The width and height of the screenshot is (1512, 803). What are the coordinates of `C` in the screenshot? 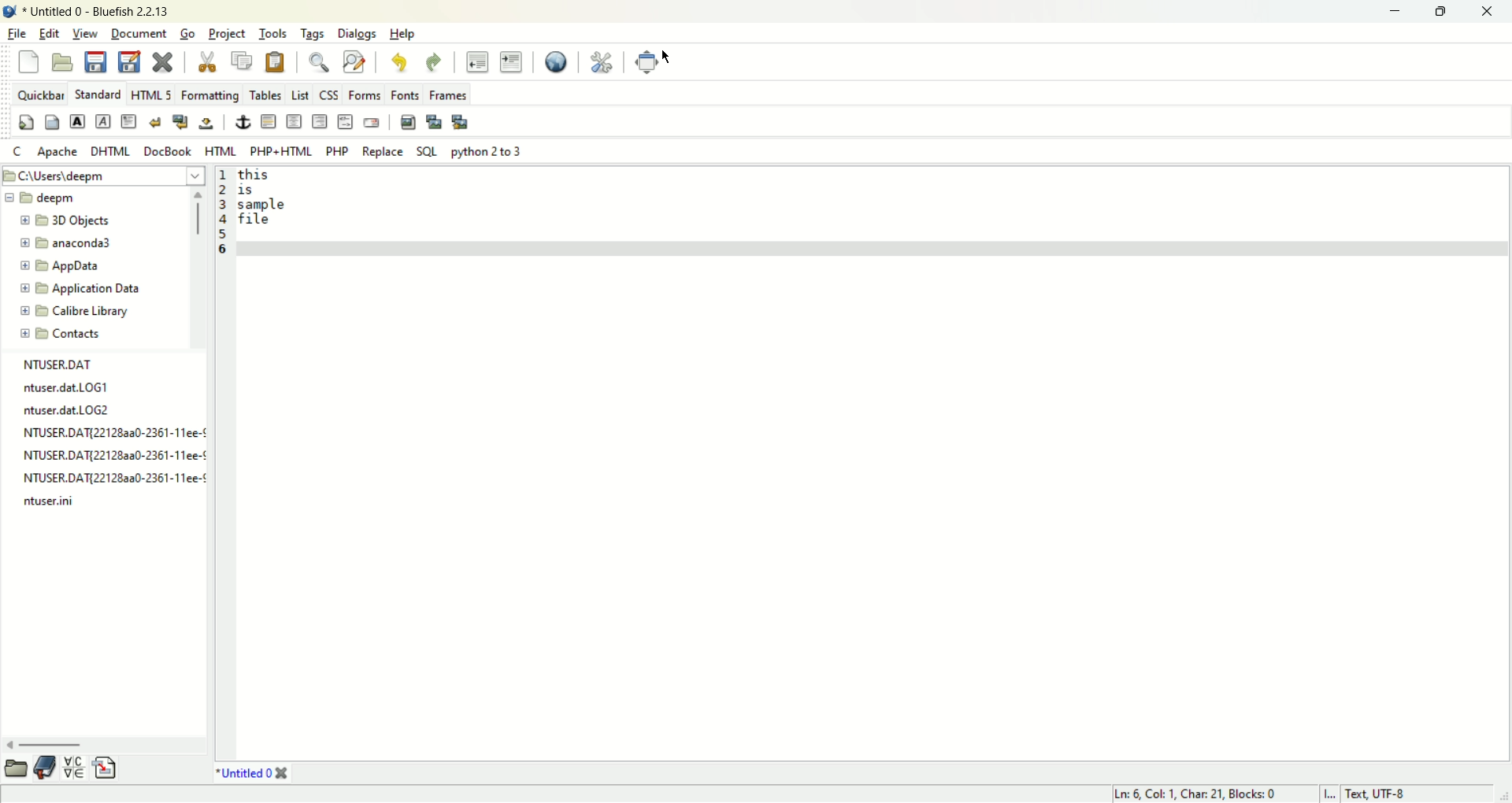 It's located at (17, 150).